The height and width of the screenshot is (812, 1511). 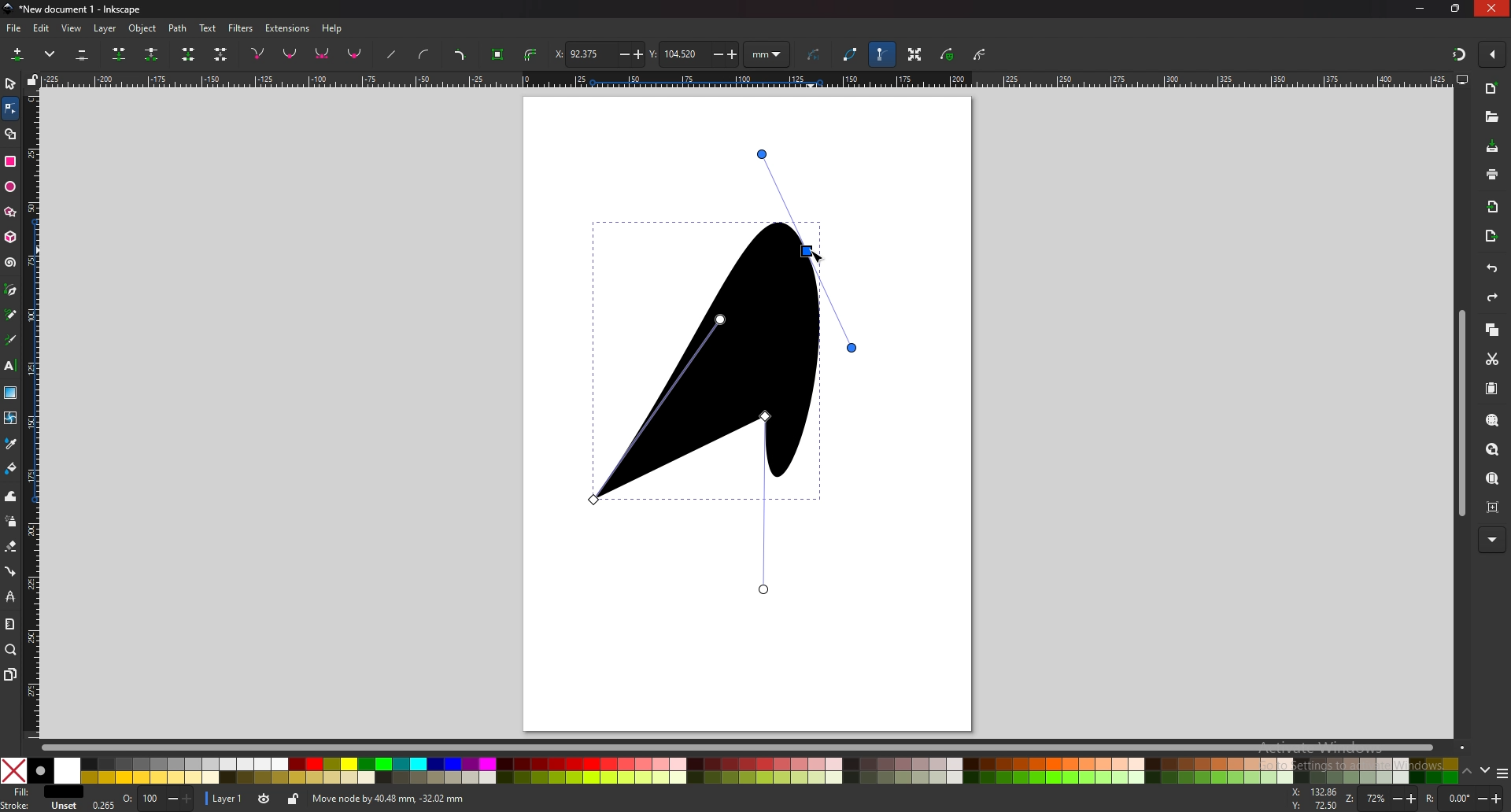 What do you see at coordinates (882, 54) in the screenshot?
I see `show bezier handle` at bounding box center [882, 54].